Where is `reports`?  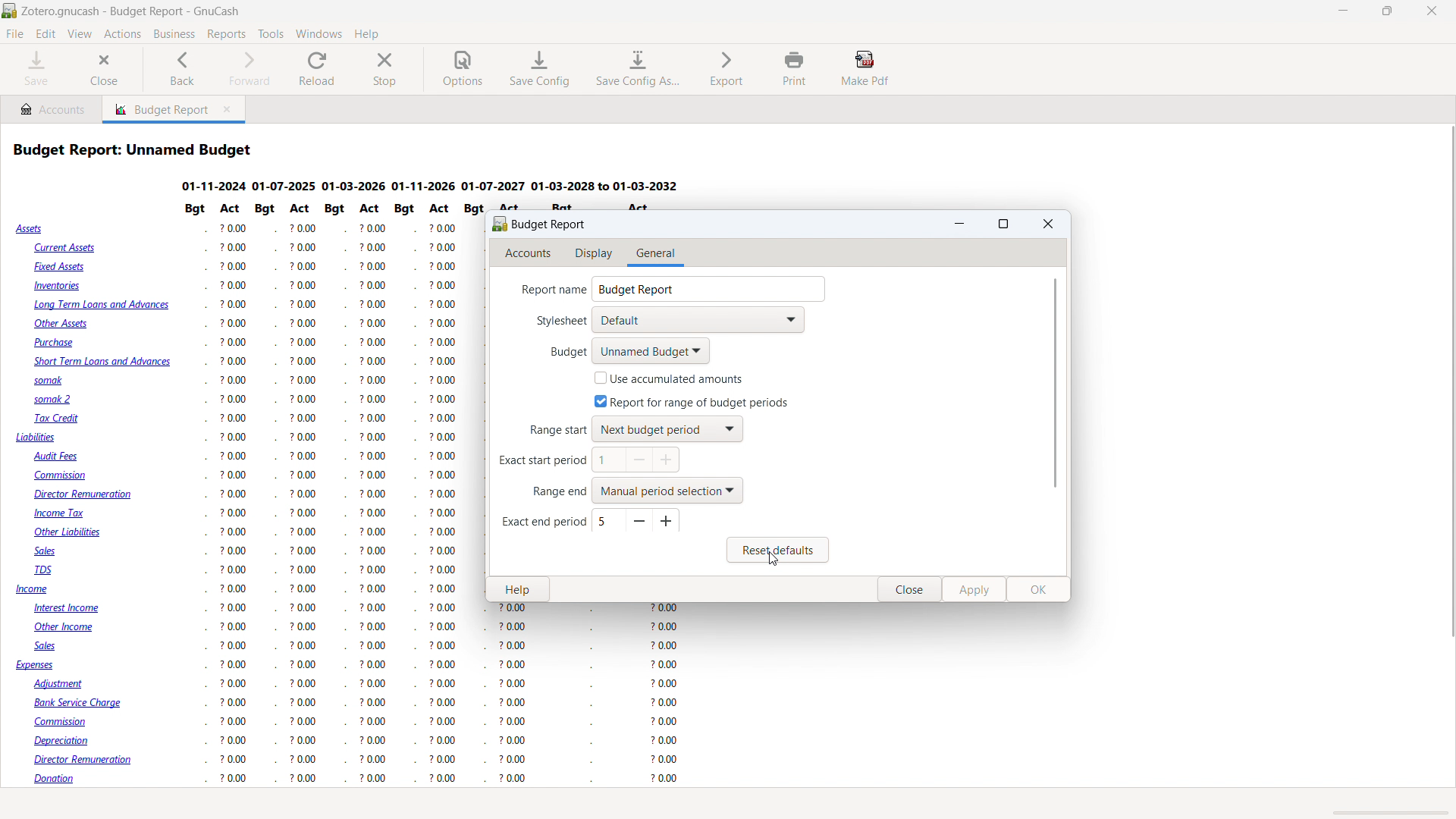 reports is located at coordinates (226, 34).